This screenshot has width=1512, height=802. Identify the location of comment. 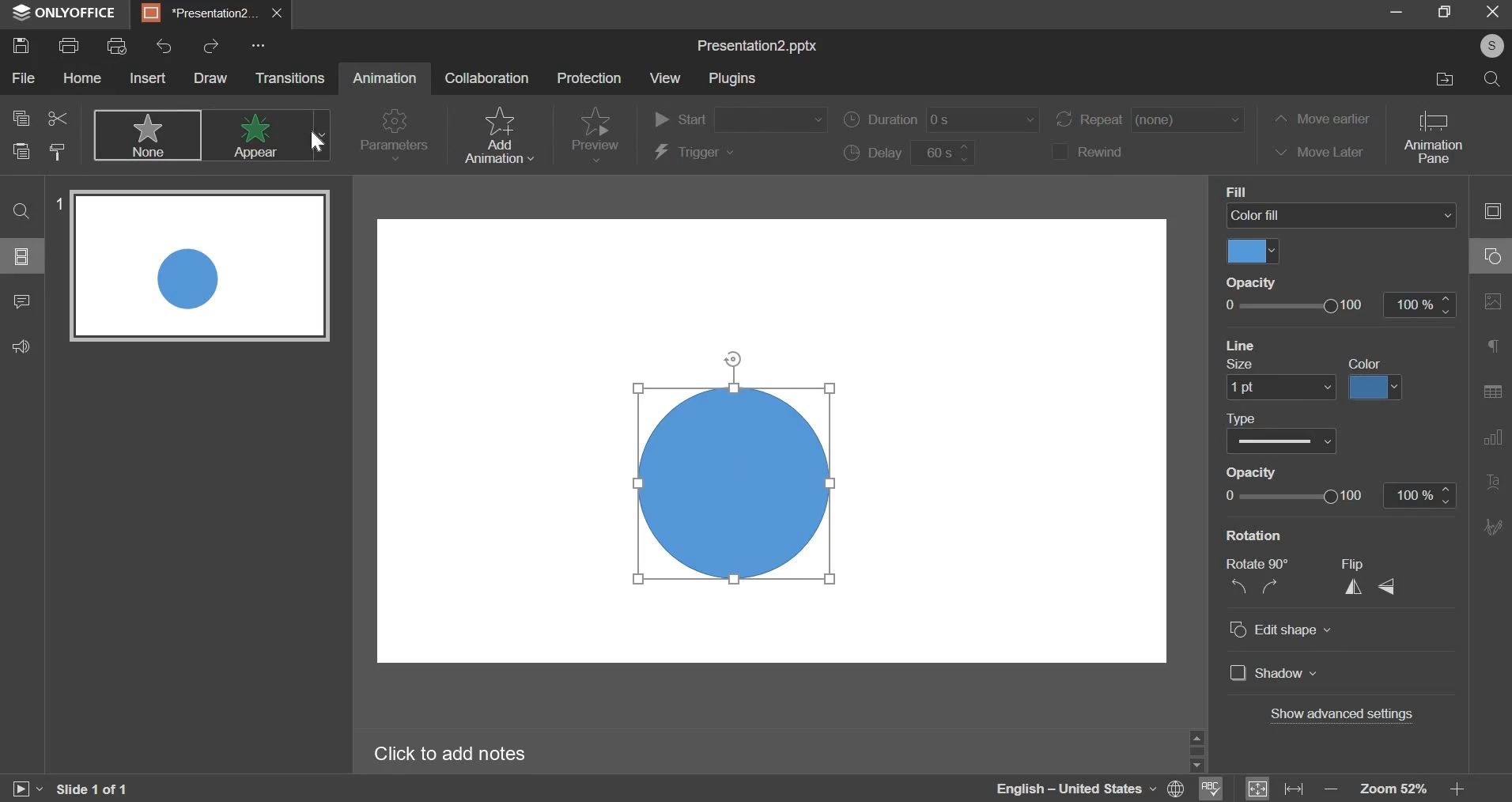
(20, 302).